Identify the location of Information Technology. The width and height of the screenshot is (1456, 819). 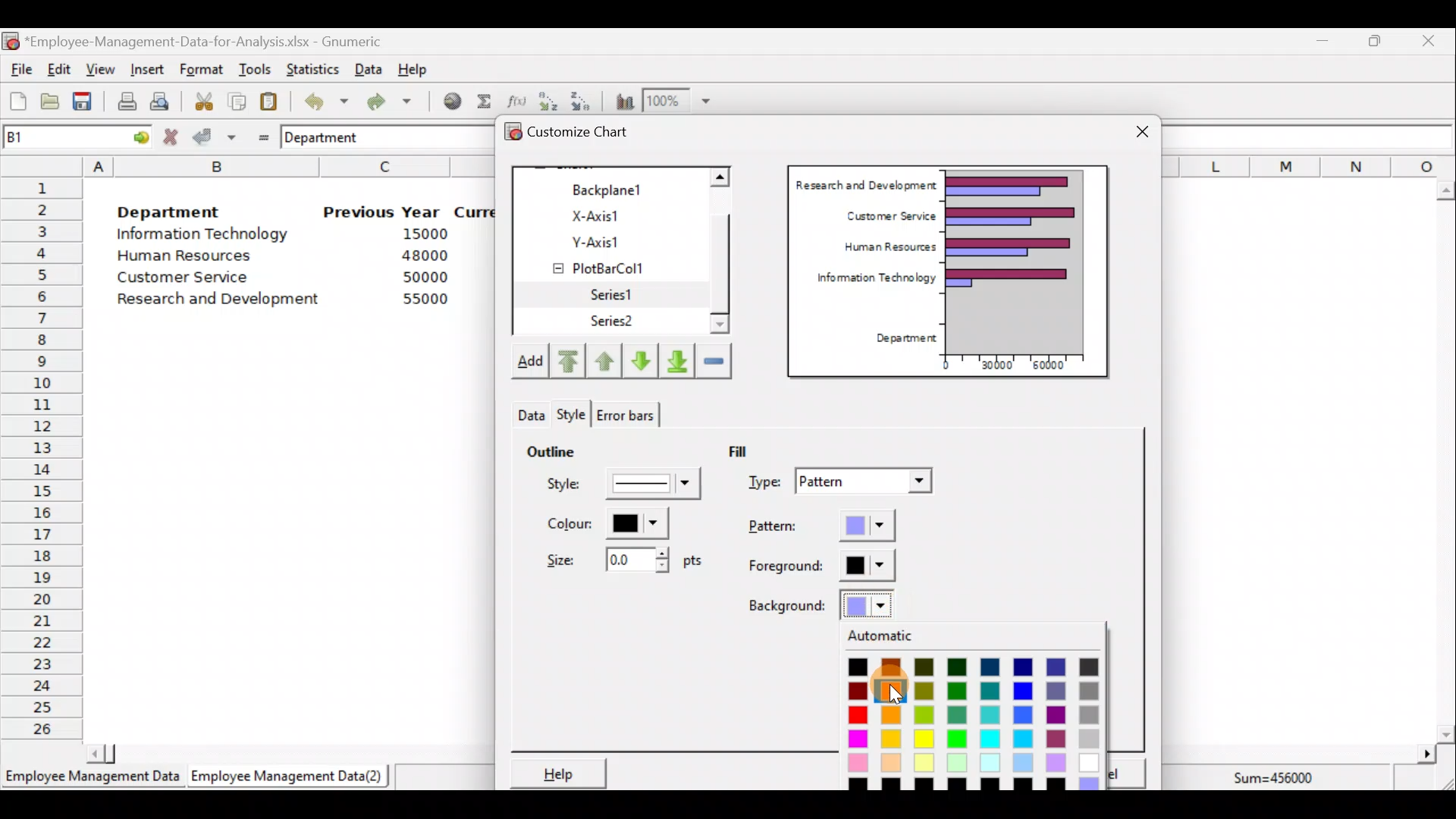
(869, 281).